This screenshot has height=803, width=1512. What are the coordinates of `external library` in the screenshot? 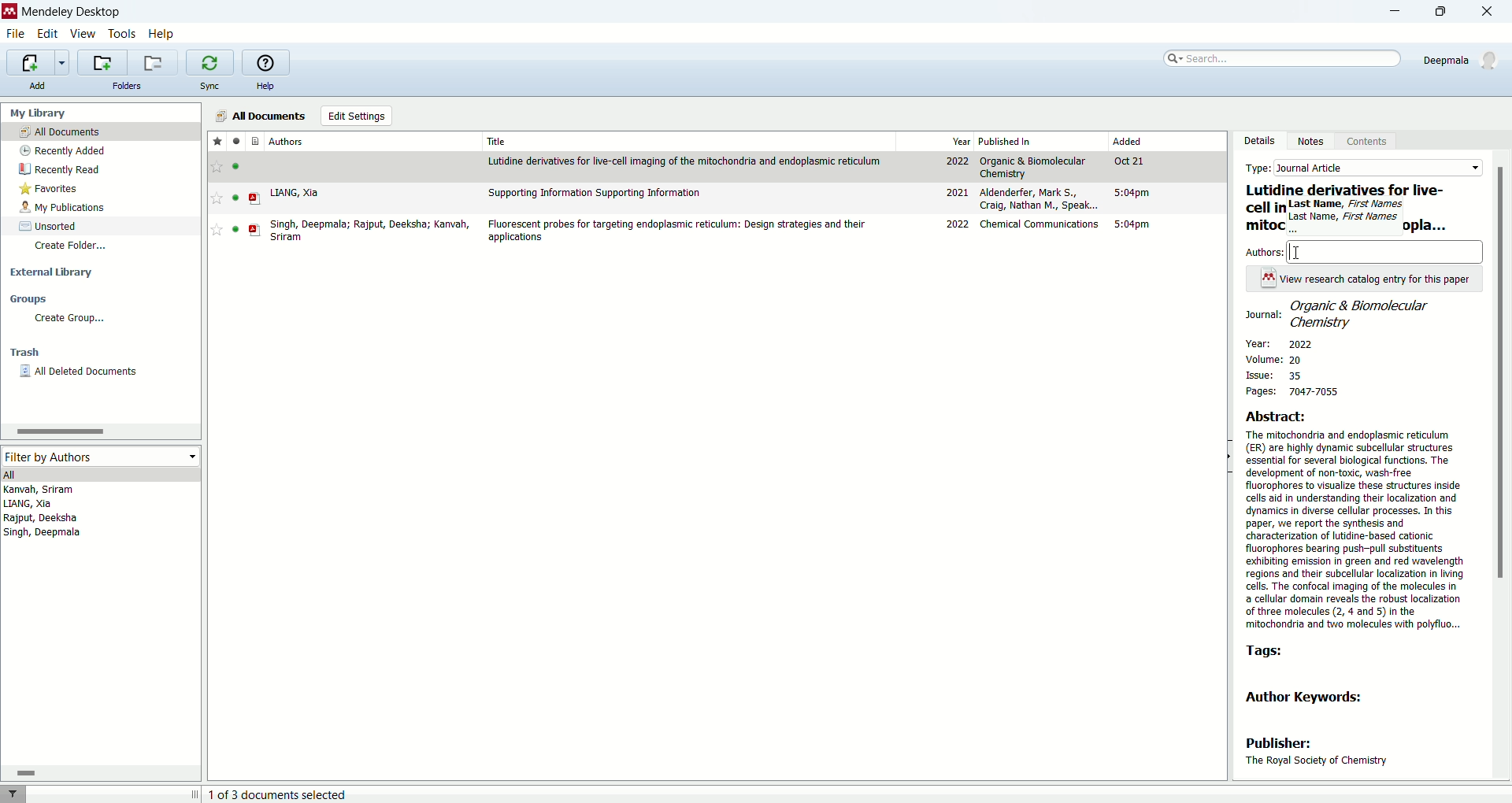 It's located at (52, 271).